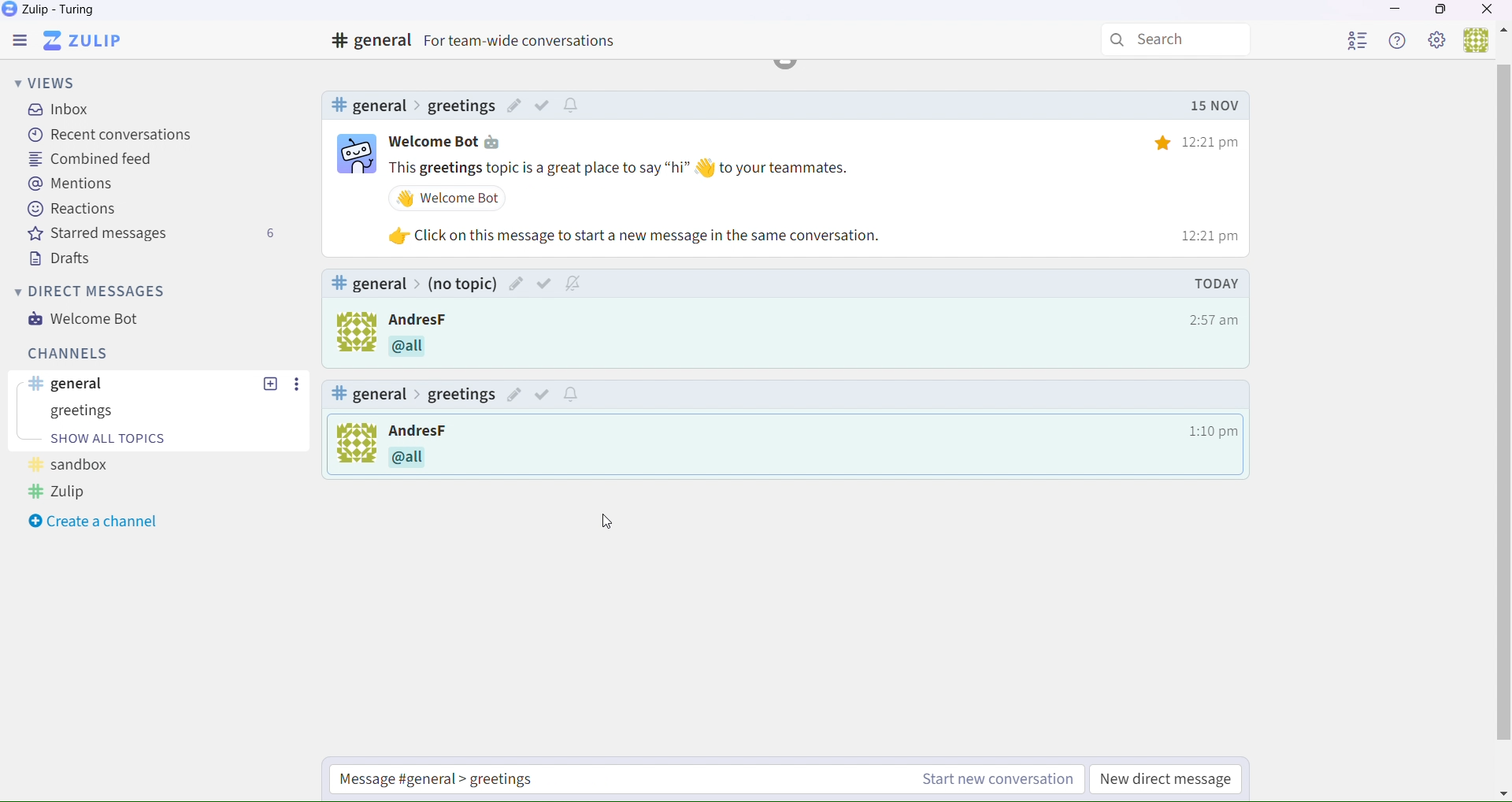 This screenshot has width=1512, height=802. I want to click on inbox, so click(63, 111).